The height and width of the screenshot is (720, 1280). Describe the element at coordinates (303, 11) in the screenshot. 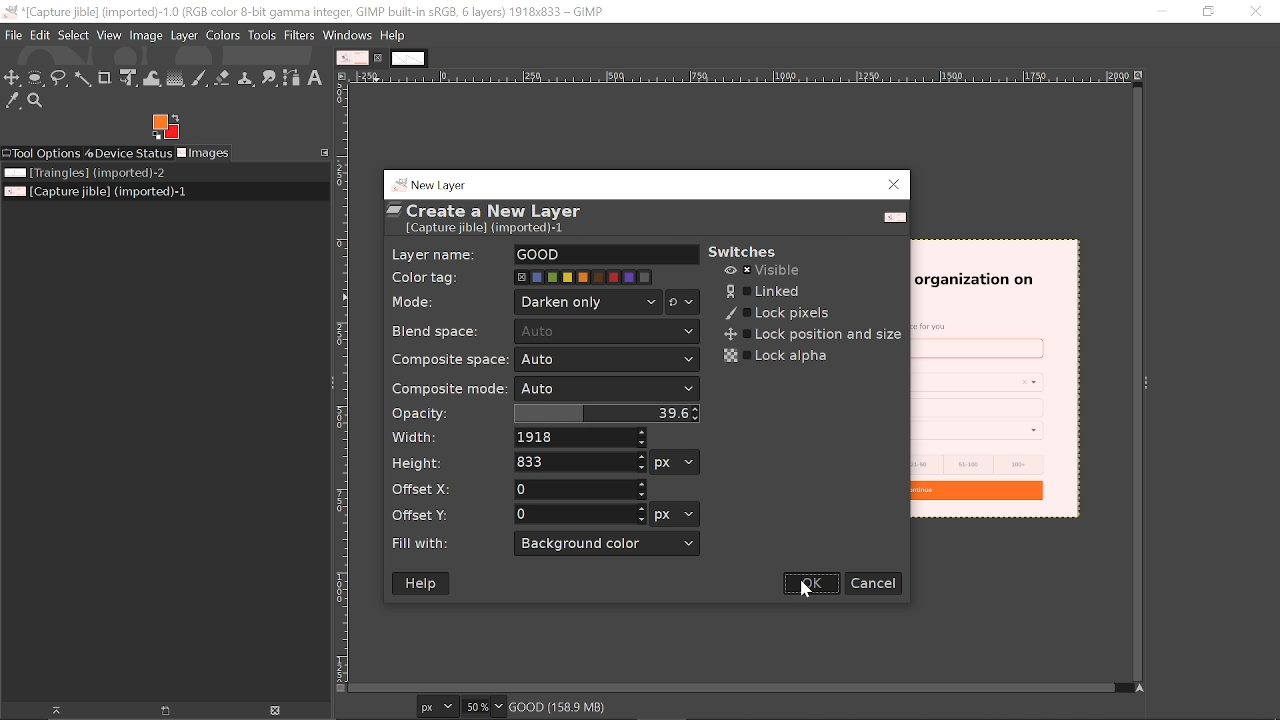

I see `Current window` at that location.